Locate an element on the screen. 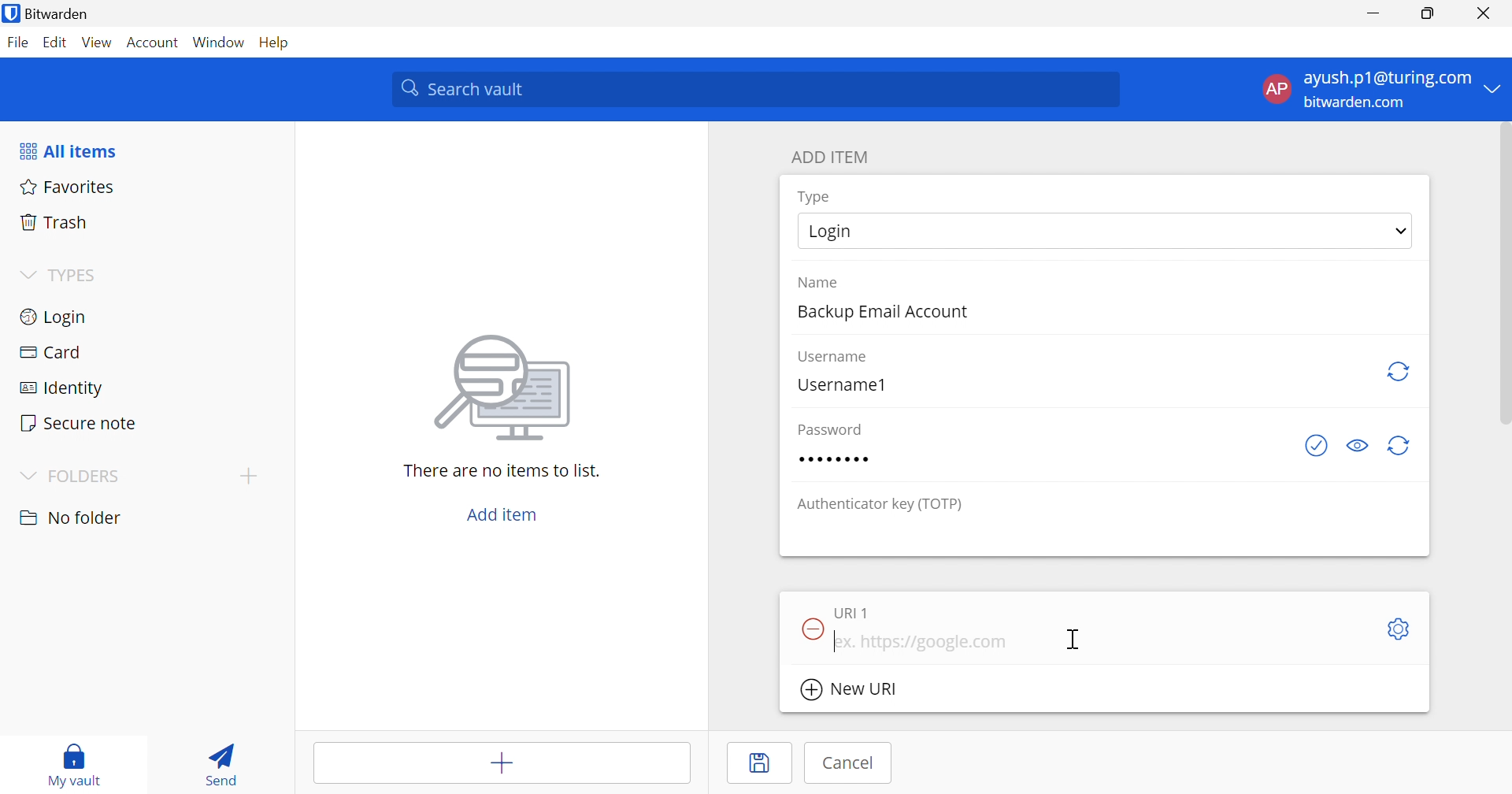 Image resolution: width=1512 pixels, height=794 pixels. No folder is located at coordinates (72, 519).